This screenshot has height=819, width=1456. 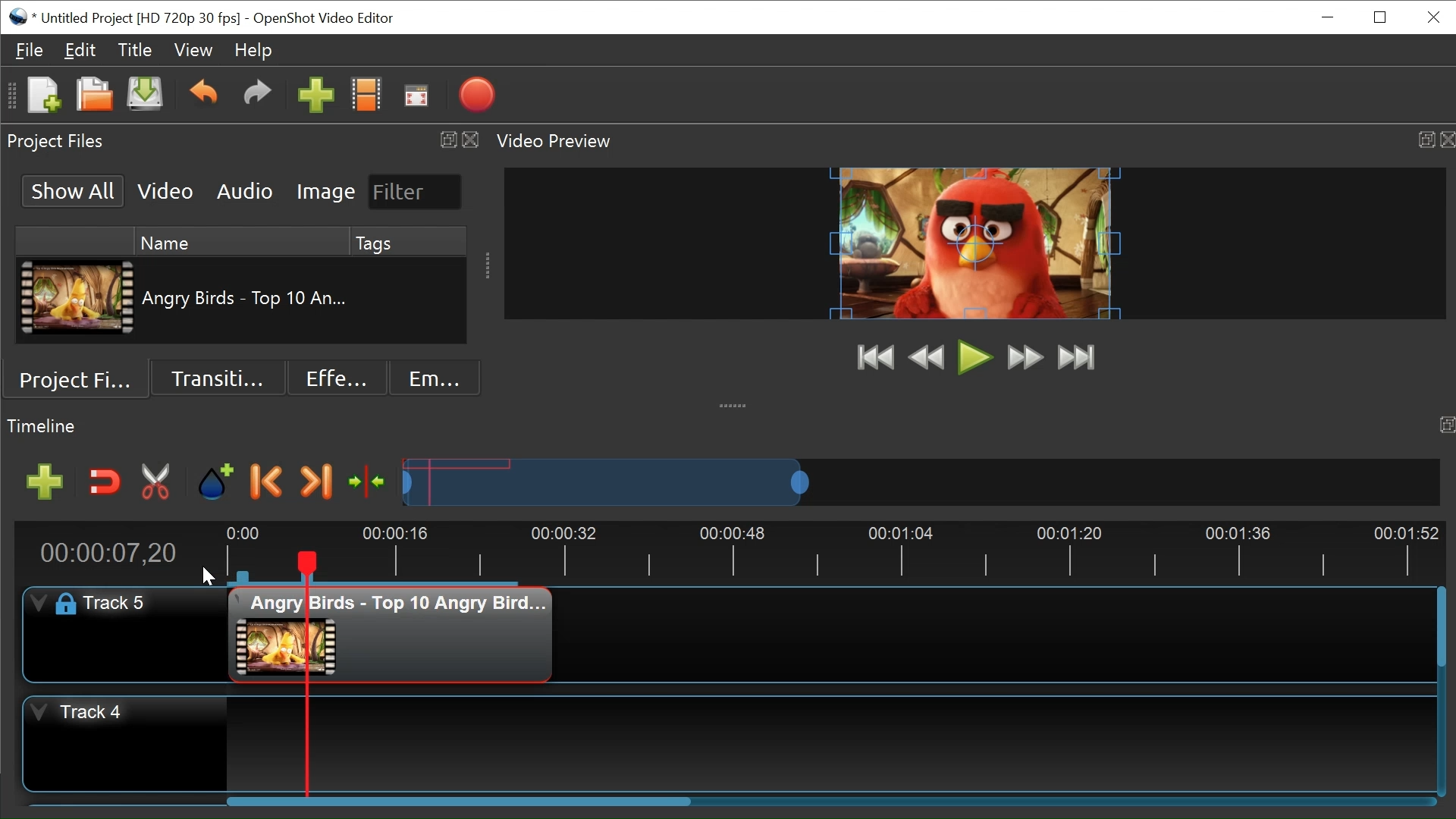 I want to click on View, so click(x=193, y=52).